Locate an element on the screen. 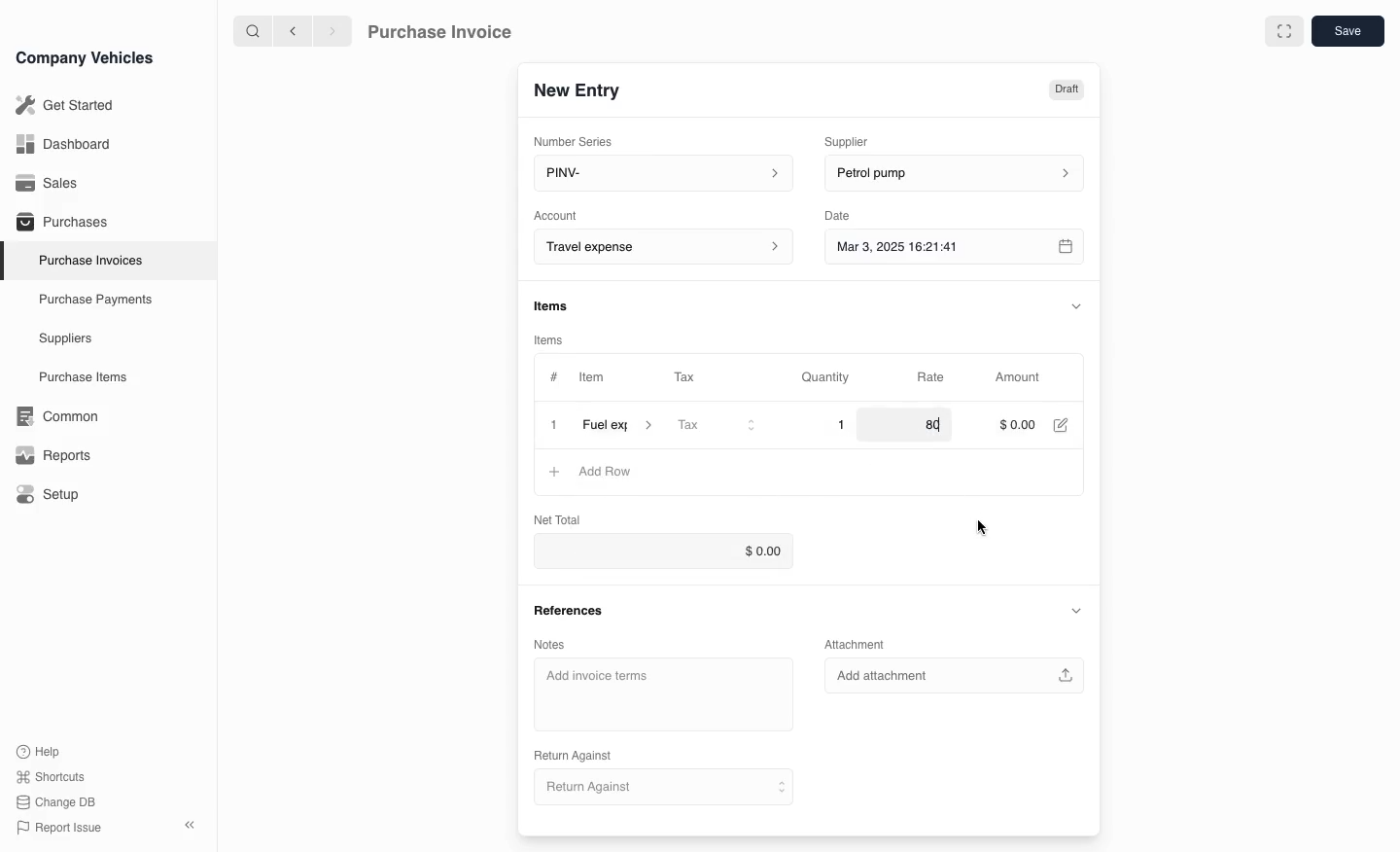 The image size is (1400, 852). Add Row is located at coordinates (589, 473).